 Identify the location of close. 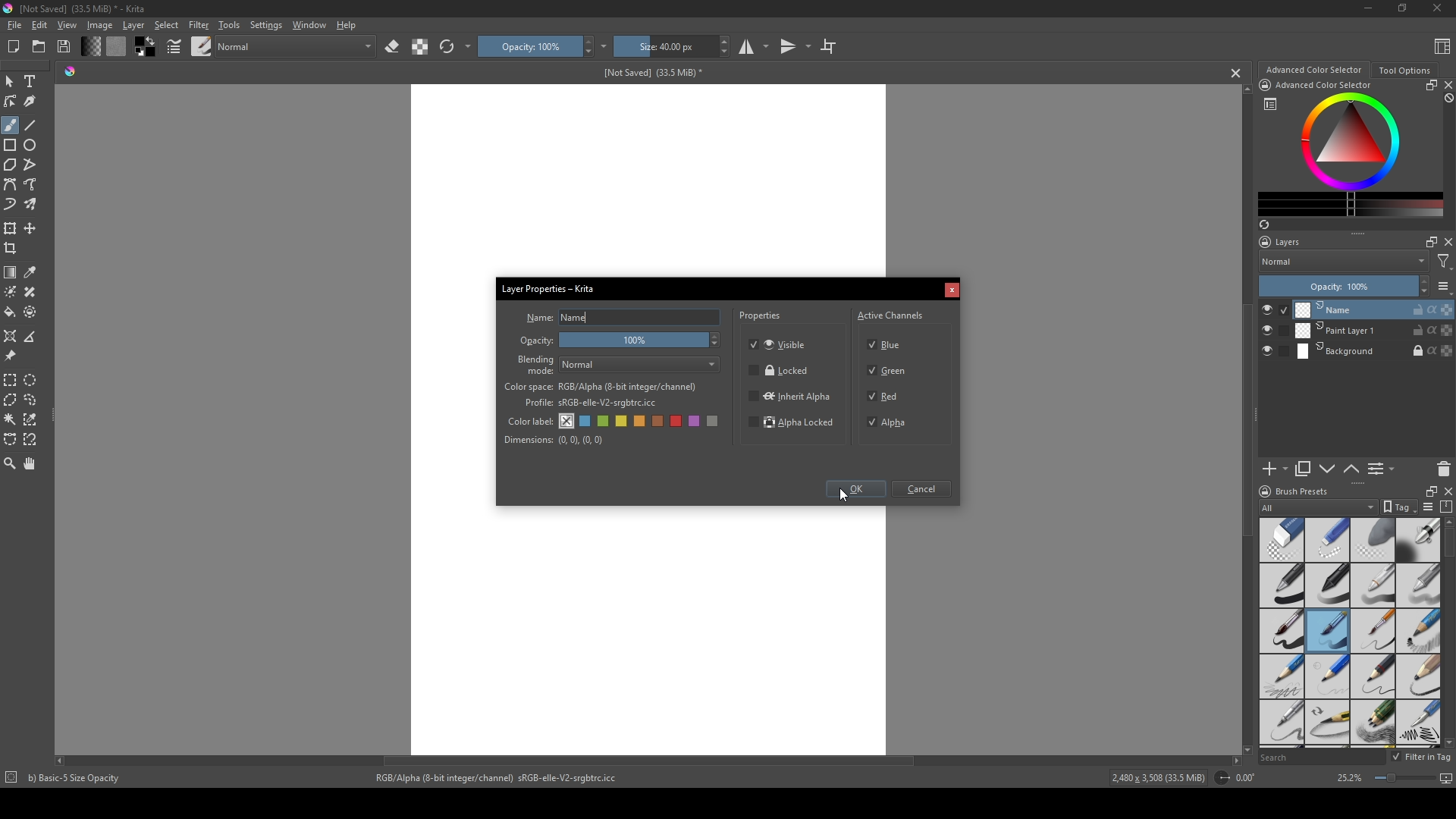
(1447, 491).